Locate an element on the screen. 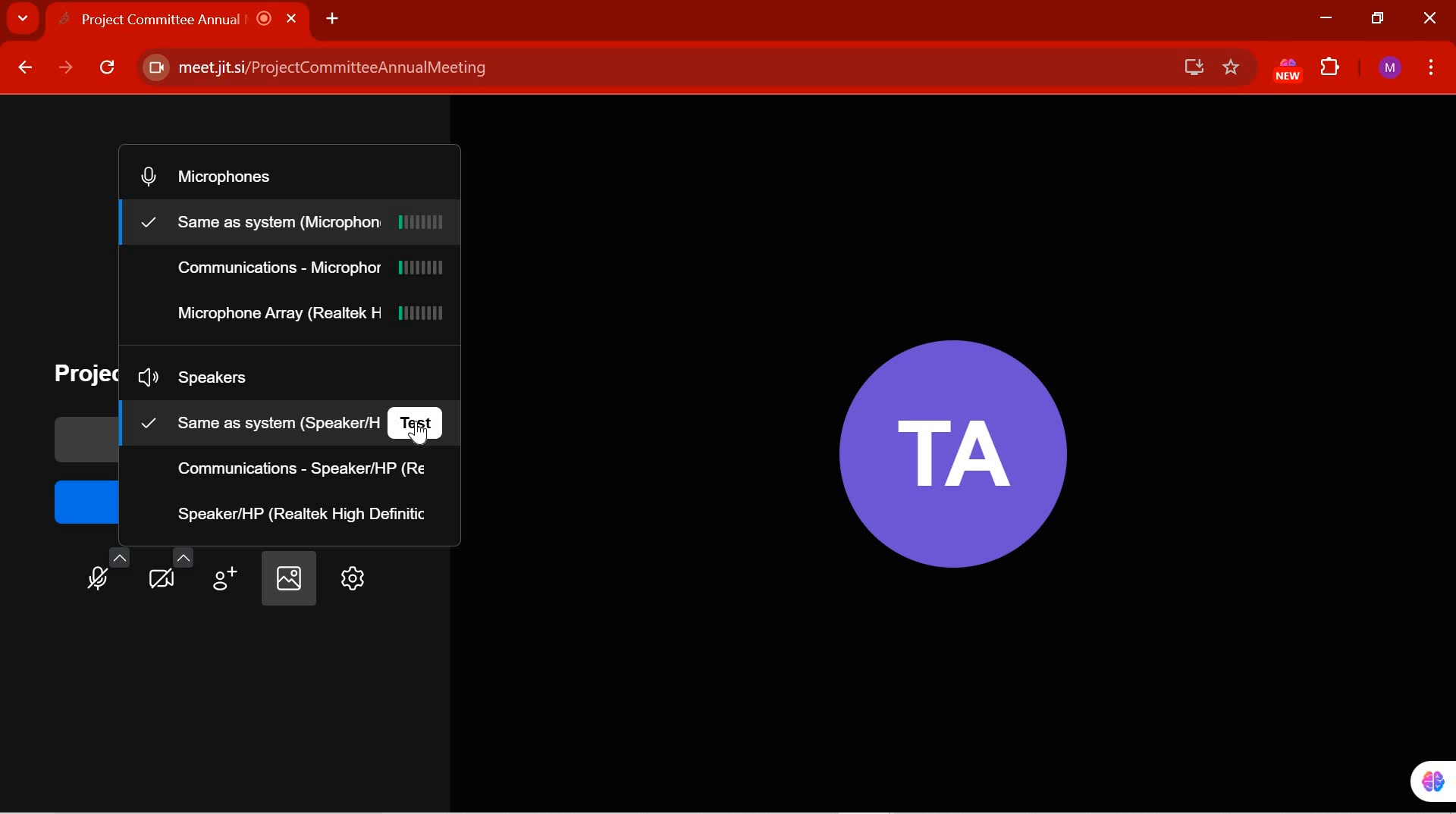 This screenshot has width=1456, height=814. ADD NEW TAB is located at coordinates (332, 17).